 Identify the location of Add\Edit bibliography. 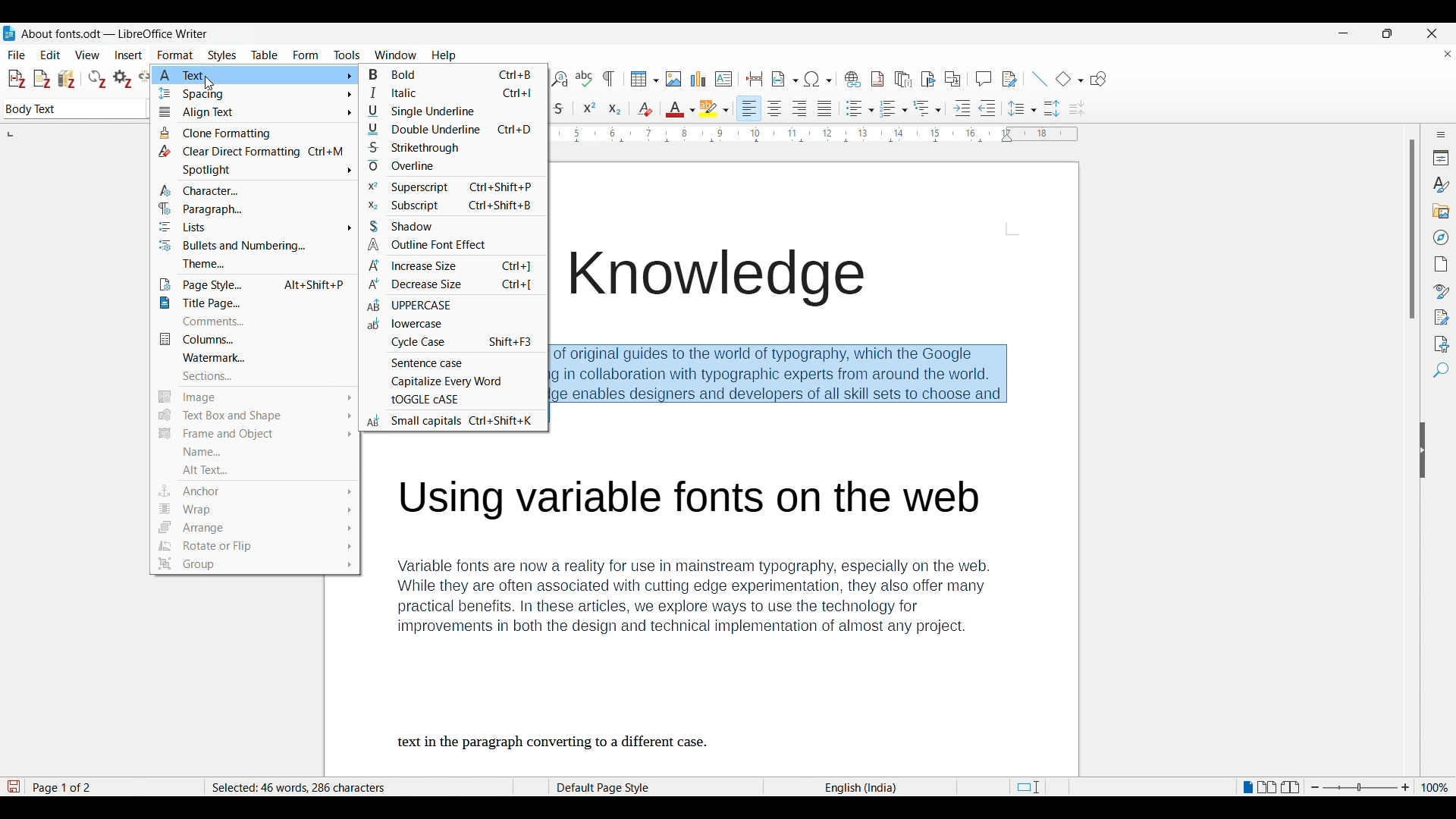
(67, 79).